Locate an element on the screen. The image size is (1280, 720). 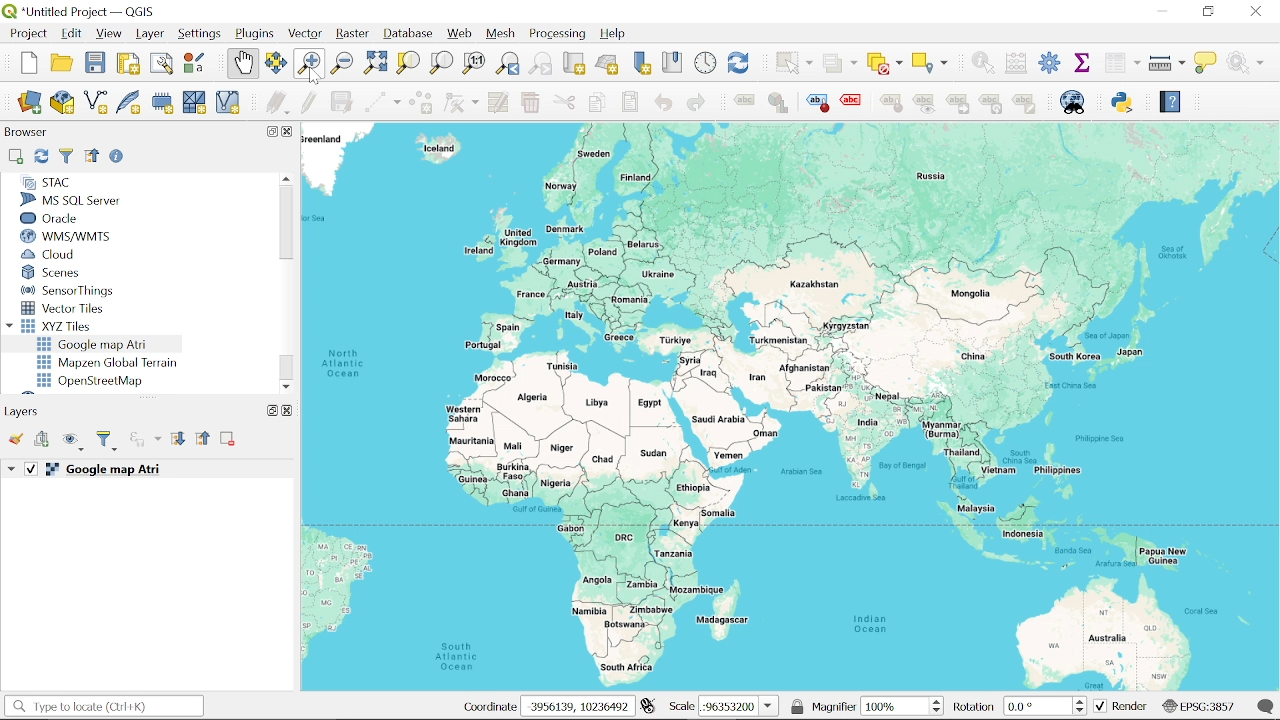
Show layout is located at coordinates (163, 65).